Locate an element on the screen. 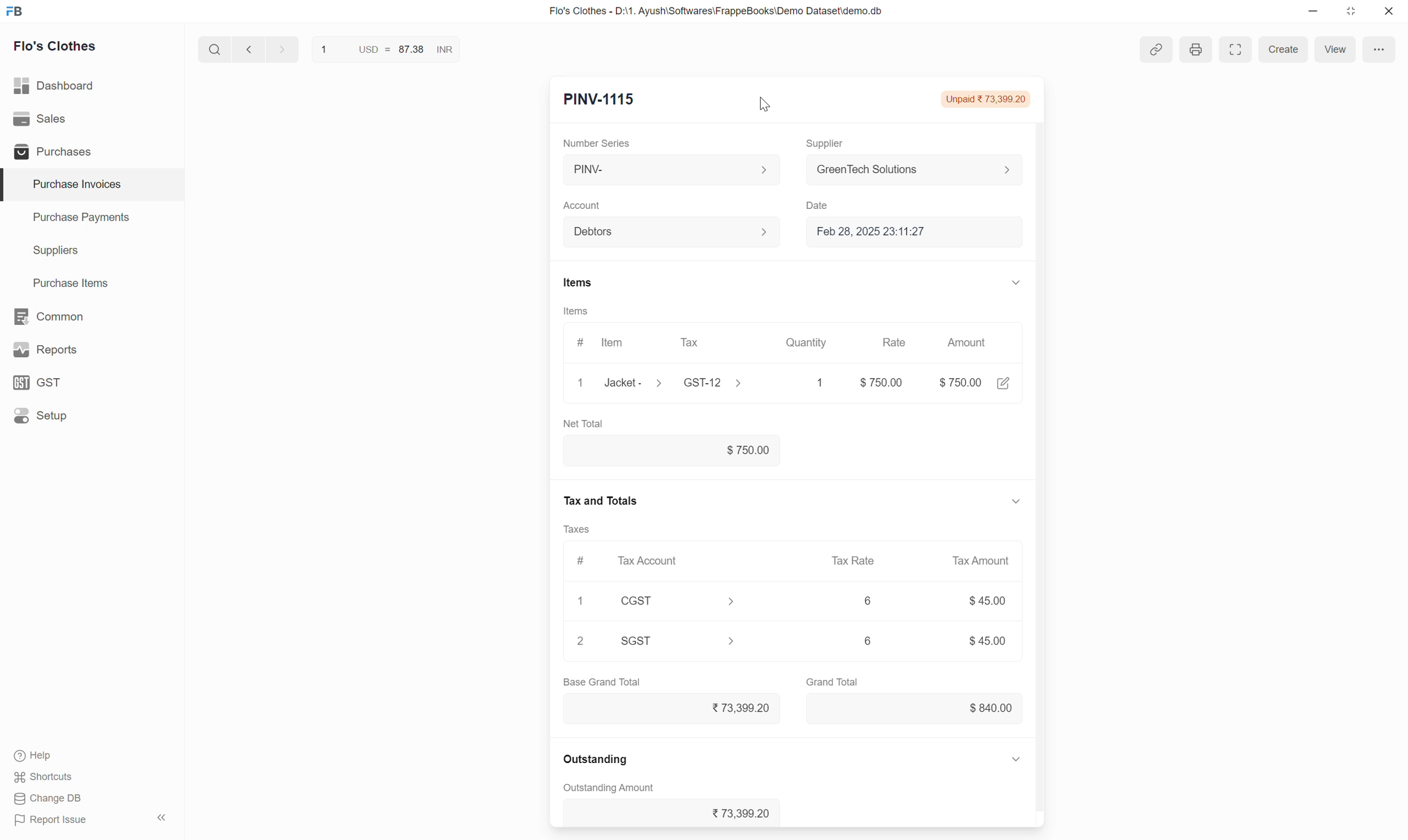 Image resolution: width=1408 pixels, height=840 pixels. Items is located at coordinates (576, 311).